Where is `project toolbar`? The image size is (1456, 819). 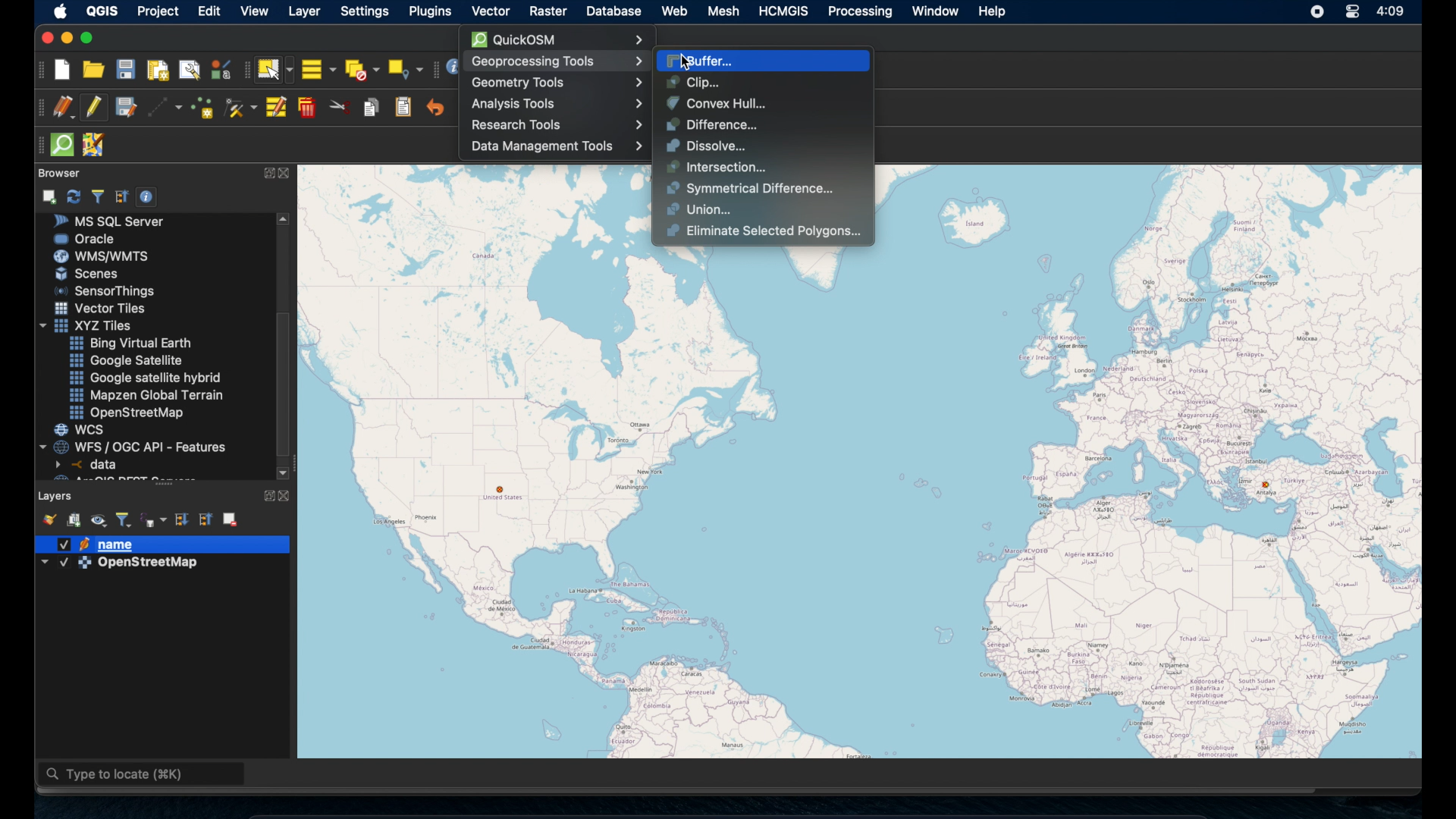
project toolbar is located at coordinates (39, 70).